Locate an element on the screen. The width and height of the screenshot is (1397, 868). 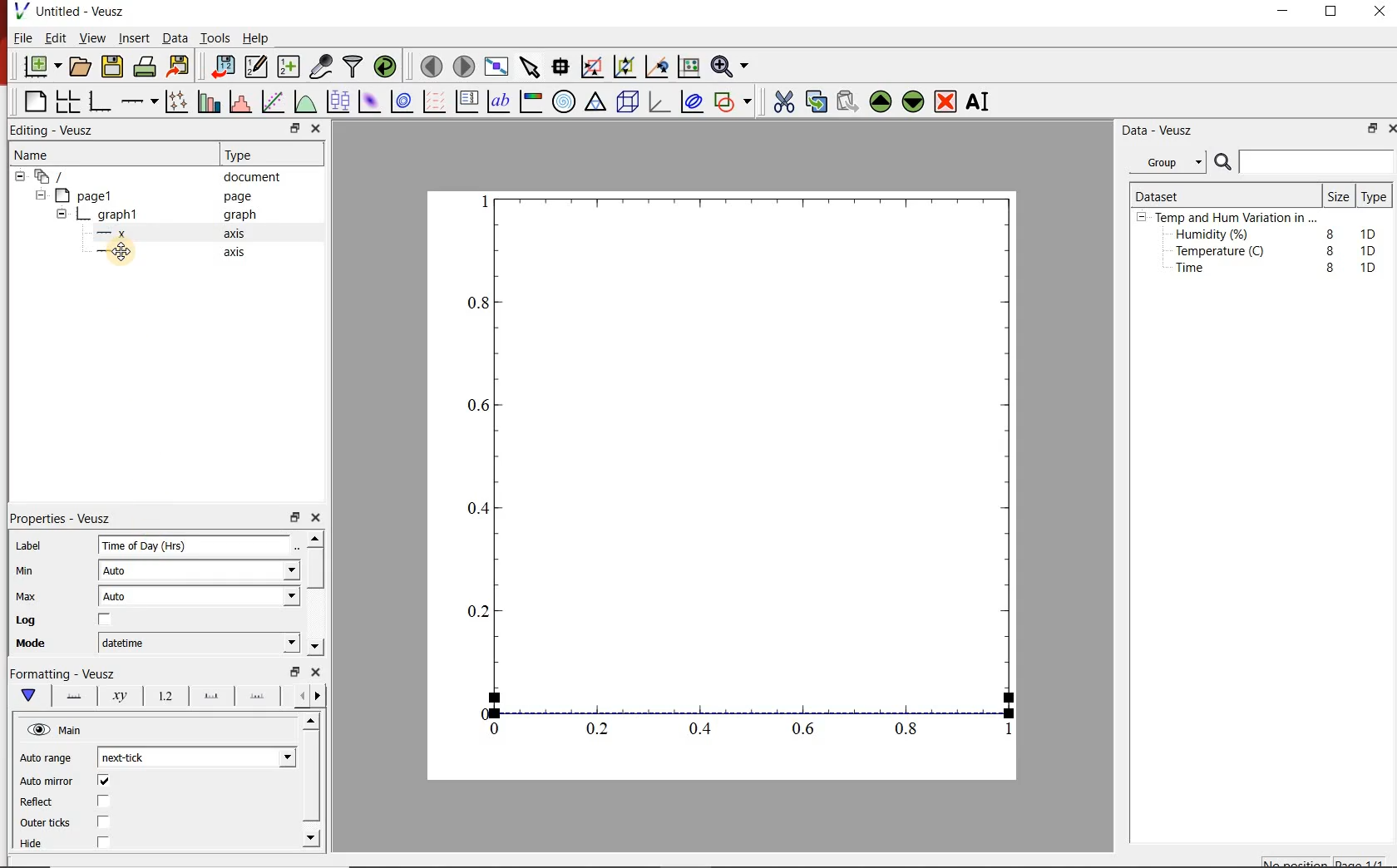
Edit and enter new datasets is located at coordinates (257, 67).